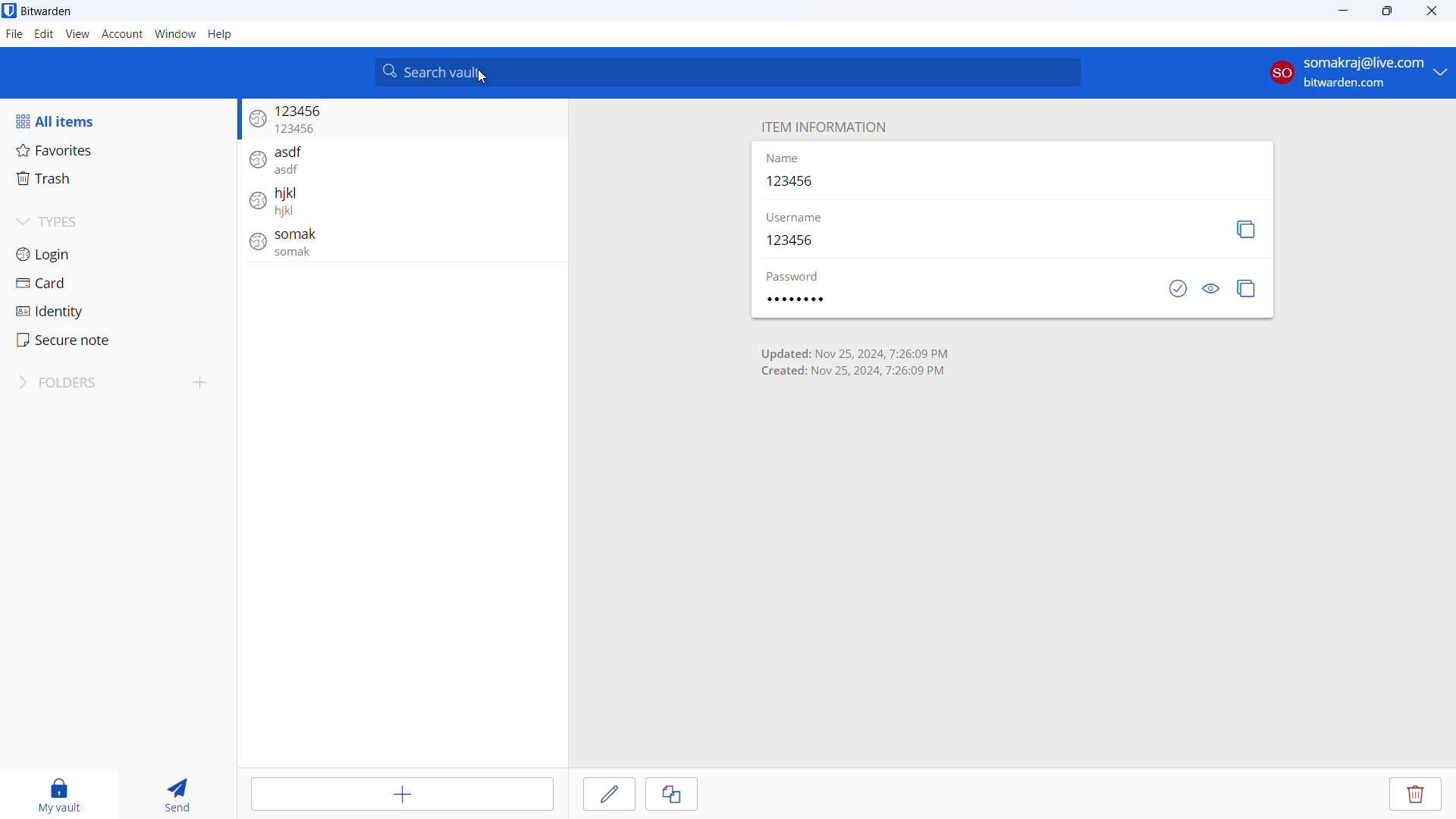  What do you see at coordinates (402, 795) in the screenshot?
I see `add item` at bounding box center [402, 795].